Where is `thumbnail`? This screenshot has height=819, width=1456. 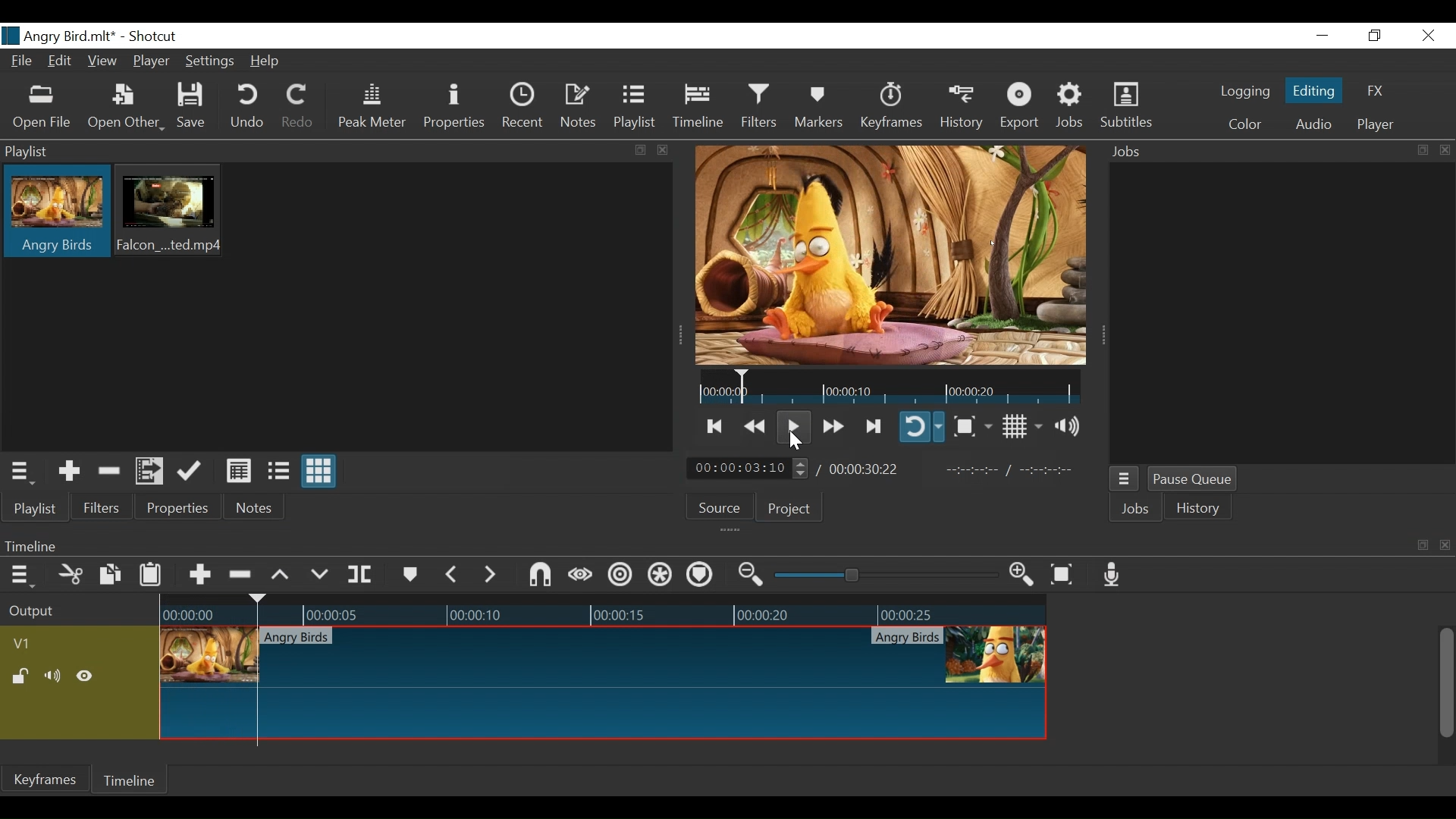 thumbnail is located at coordinates (603, 673).